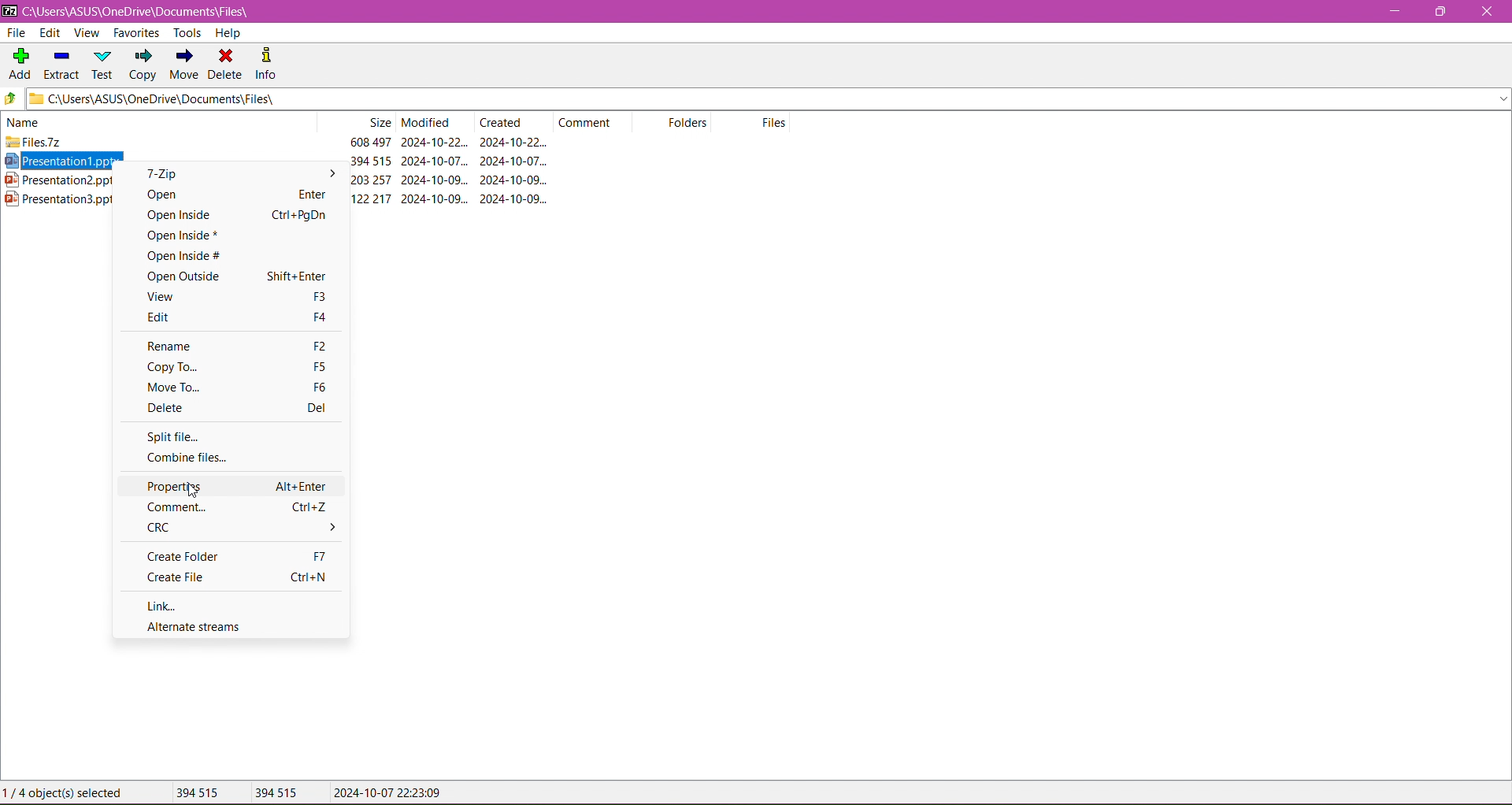 This screenshot has height=805, width=1512. Describe the element at coordinates (238, 387) in the screenshot. I see `Move To` at that location.